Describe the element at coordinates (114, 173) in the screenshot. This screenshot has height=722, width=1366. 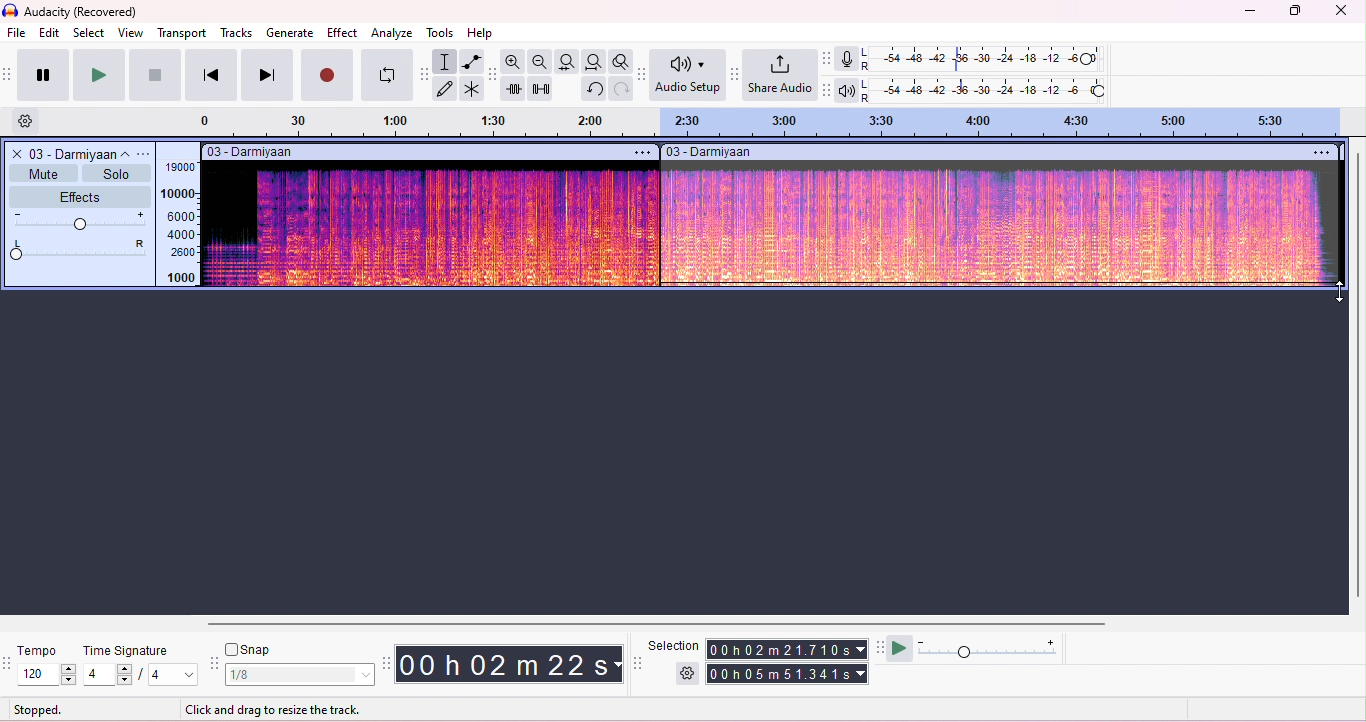
I see `solo` at that location.